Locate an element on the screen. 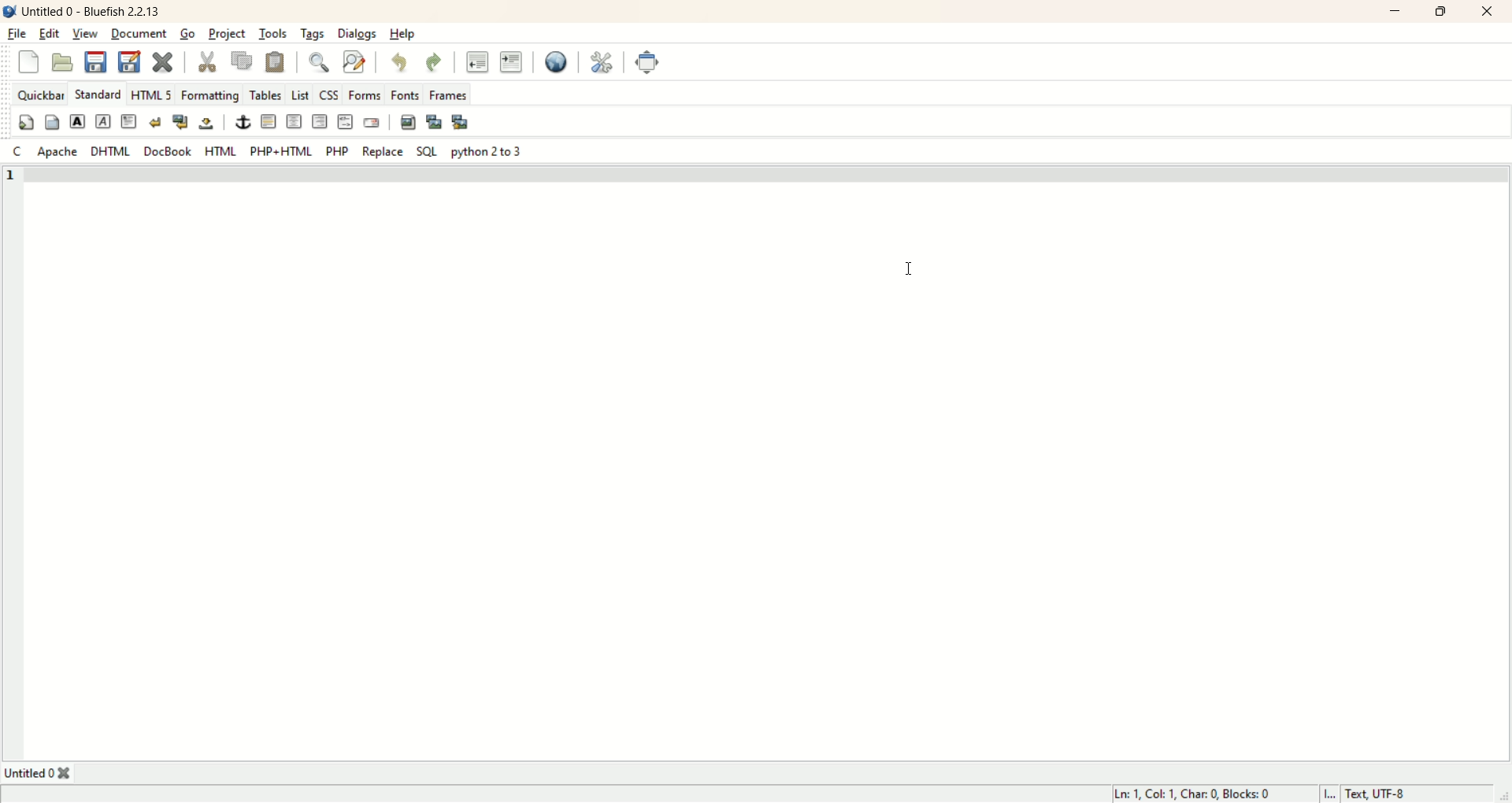 The height and width of the screenshot is (803, 1512). frames is located at coordinates (447, 94).